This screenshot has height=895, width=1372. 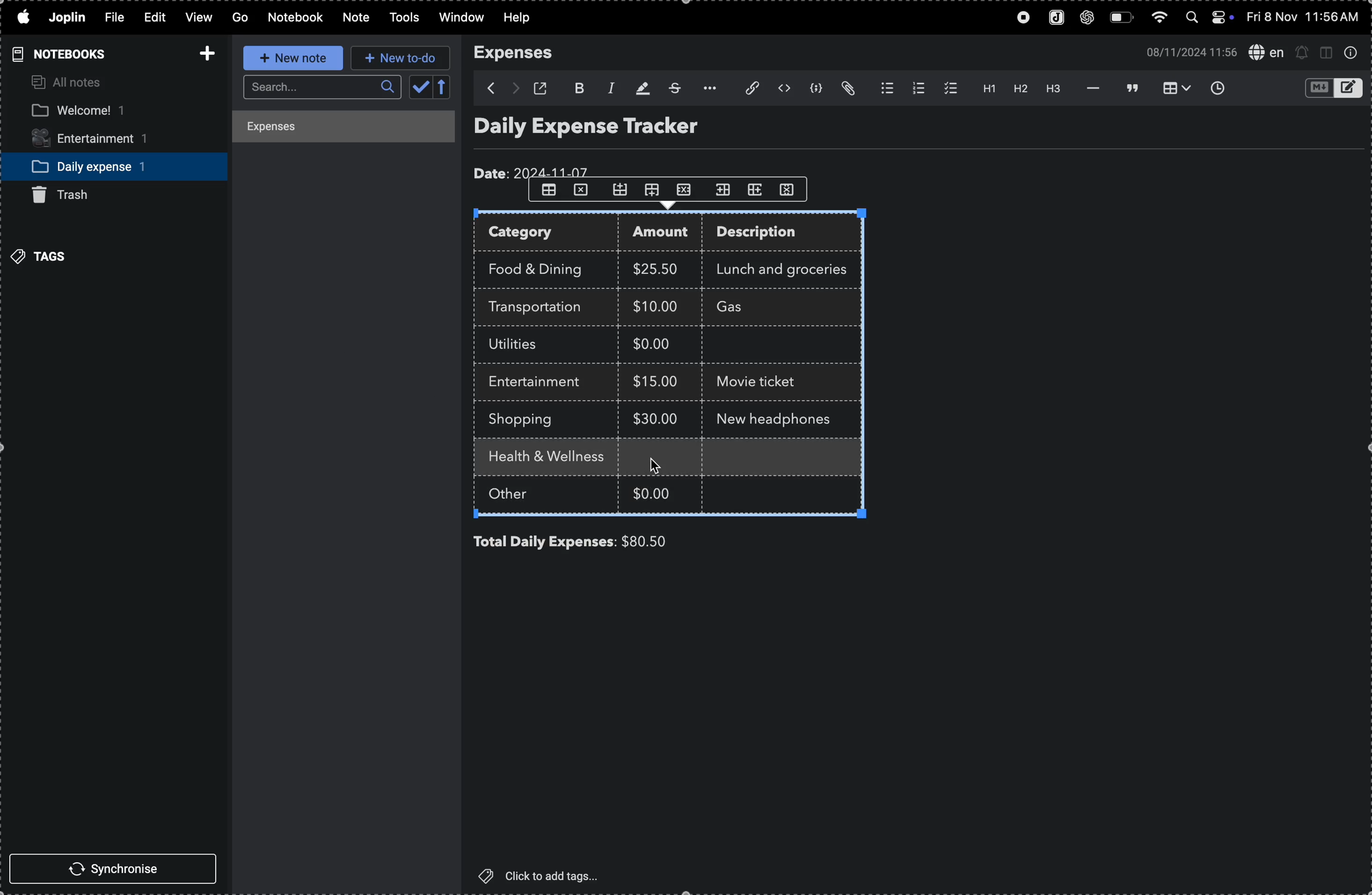 What do you see at coordinates (552, 458) in the screenshot?
I see `health and wellness` at bounding box center [552, 458].